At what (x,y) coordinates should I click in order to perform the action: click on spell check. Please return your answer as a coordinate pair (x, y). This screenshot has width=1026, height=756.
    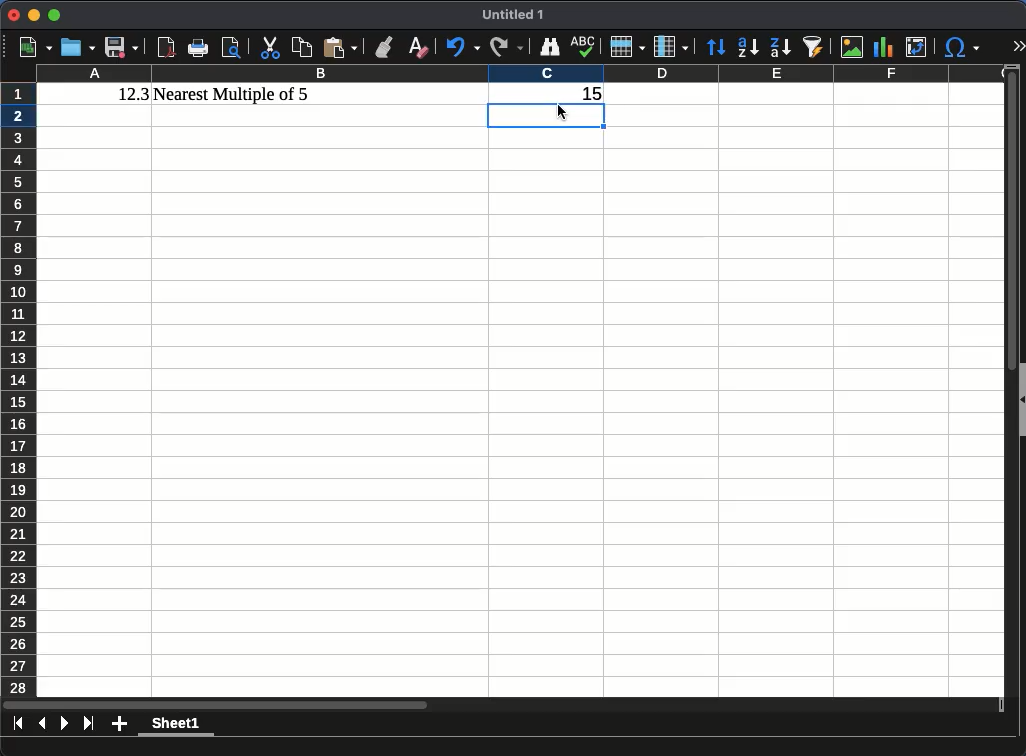
    Looking at the image, I should click on (583, 45).